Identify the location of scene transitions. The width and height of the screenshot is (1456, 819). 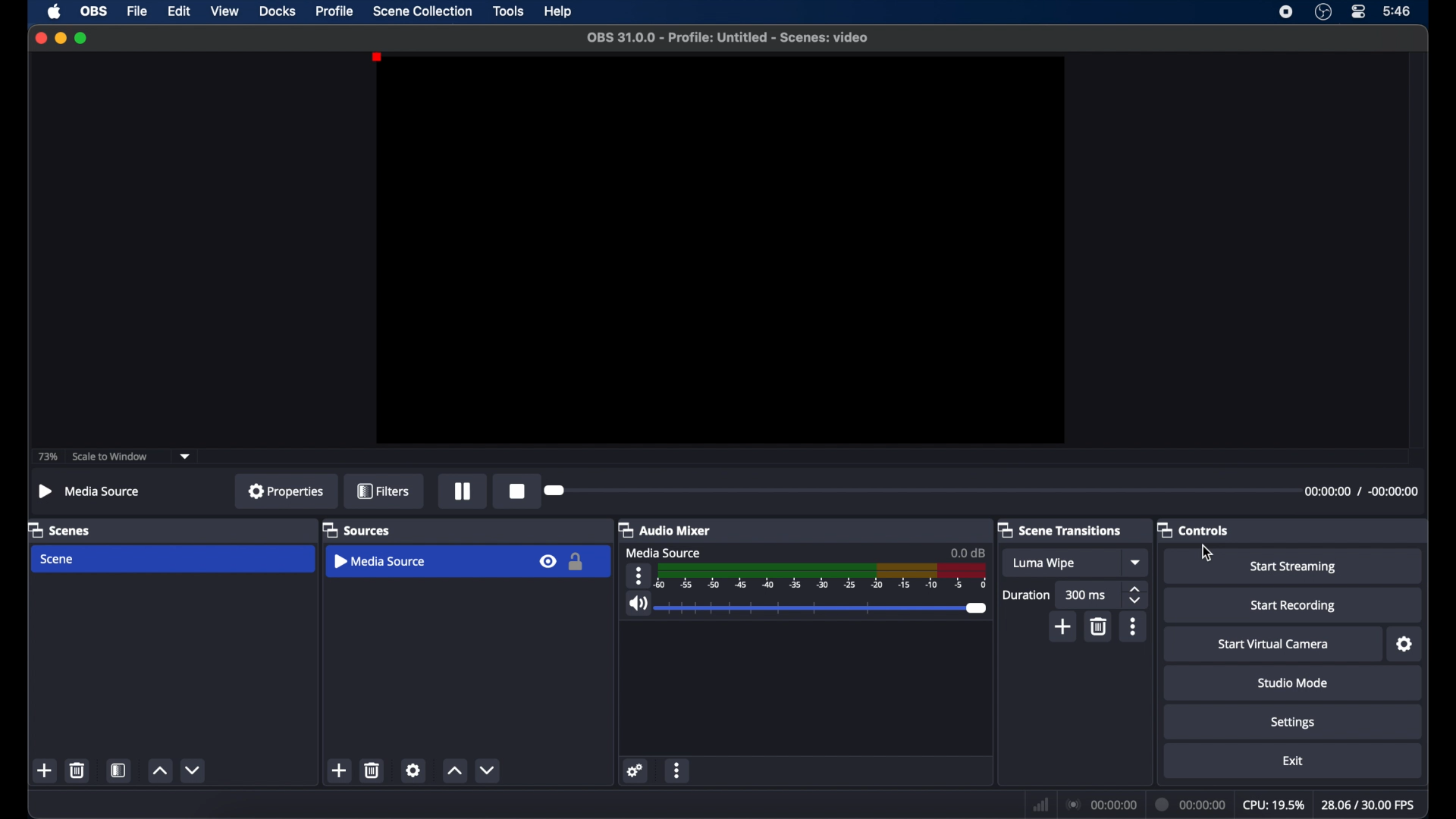
(1060, 530).